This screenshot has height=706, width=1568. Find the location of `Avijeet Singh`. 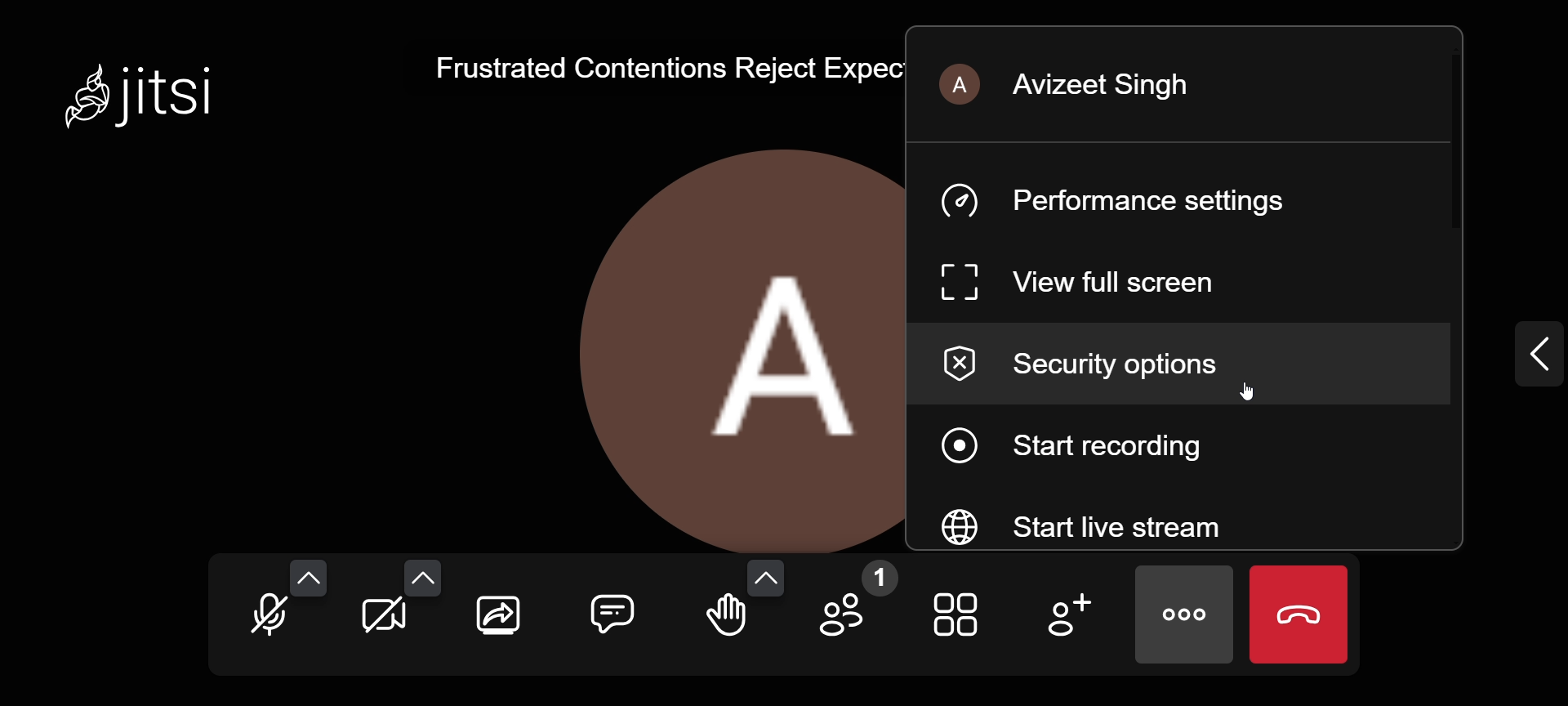

Avijeet Singh is located at coordinates (1079, 87).